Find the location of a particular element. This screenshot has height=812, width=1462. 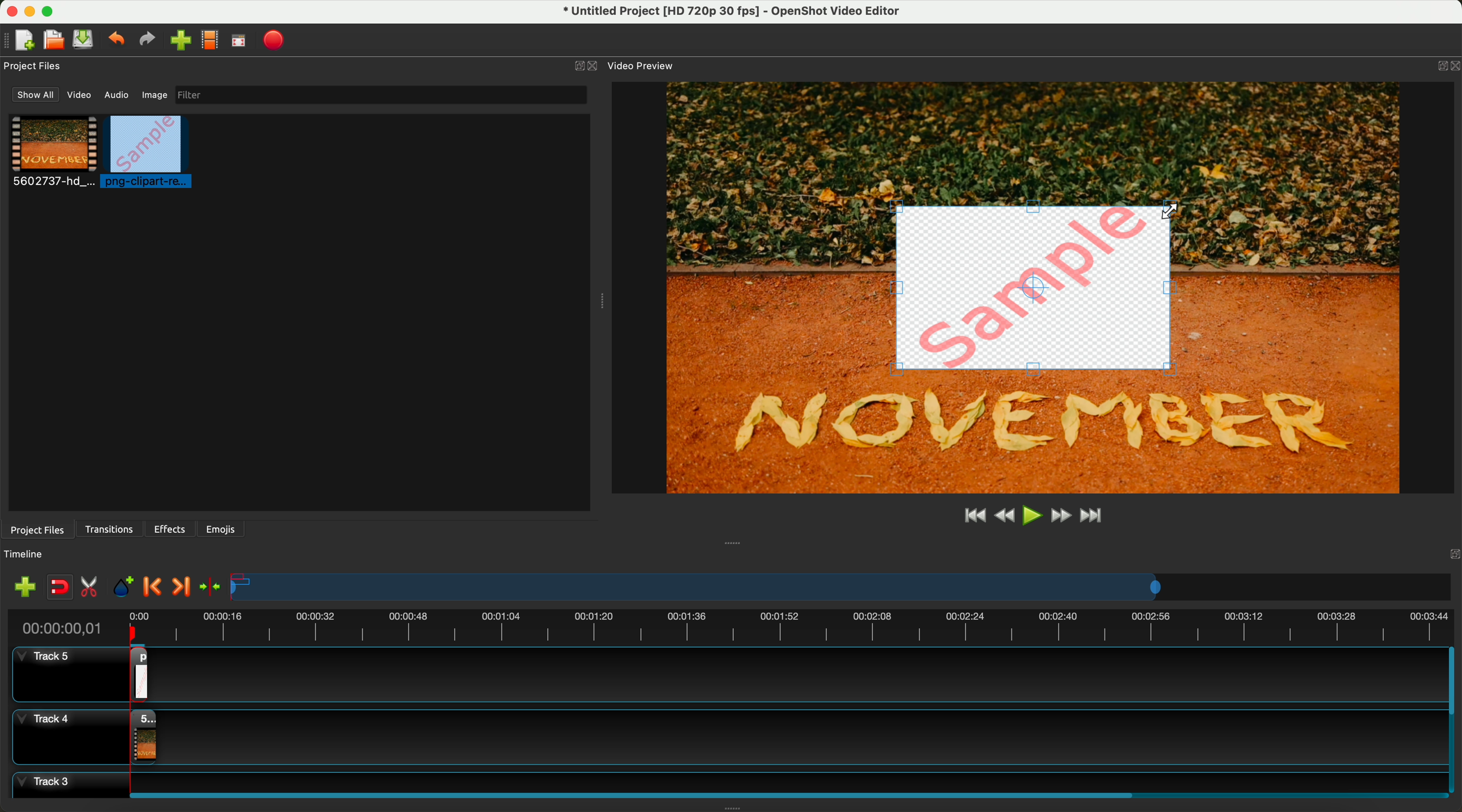

redo is located at coordinates (150, 41).